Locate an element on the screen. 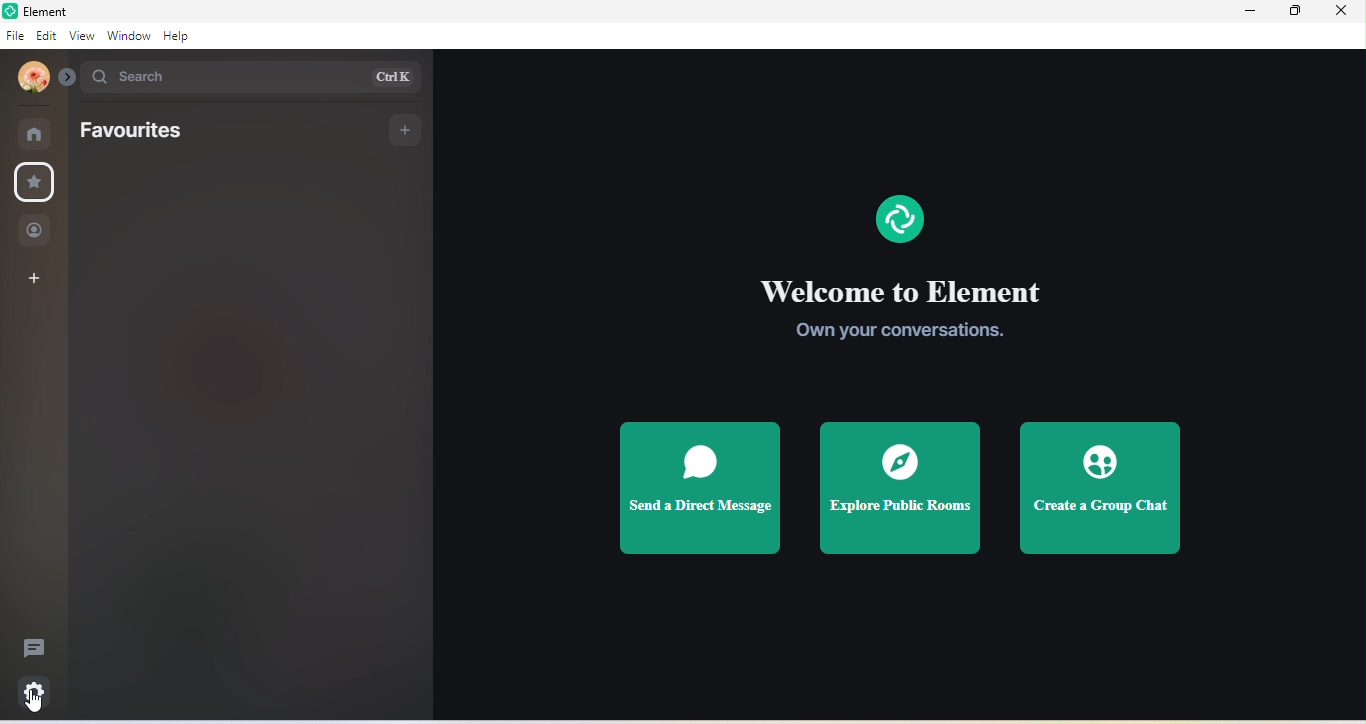 This screenshot has width=1366, height=724. minimize is located at coordinates (1250, 12).